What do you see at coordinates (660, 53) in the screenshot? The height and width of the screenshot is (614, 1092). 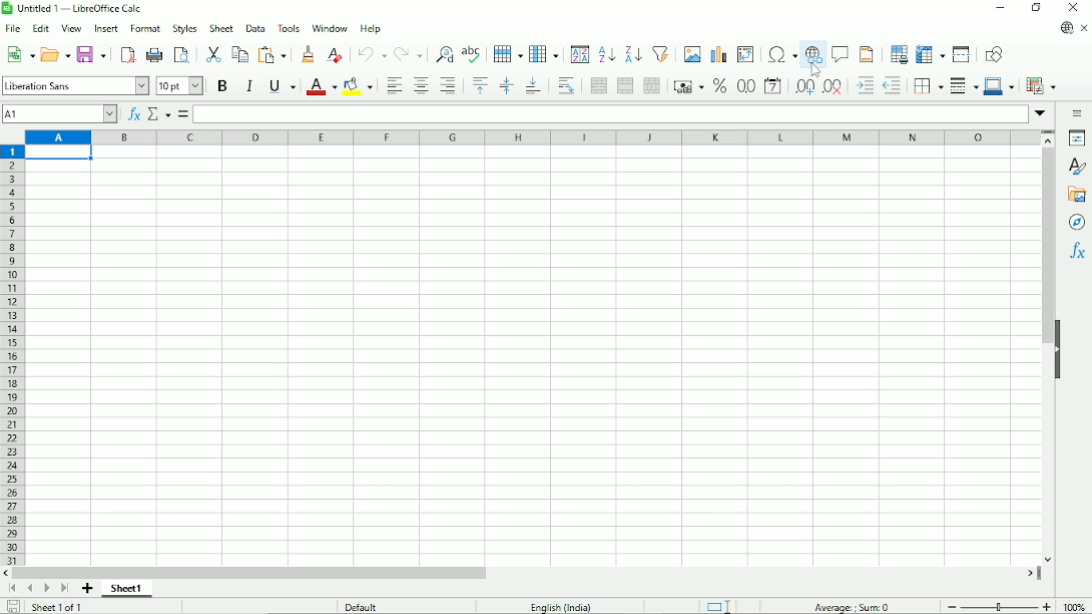 I see `Autofilter` at bounding box center [660, 53].